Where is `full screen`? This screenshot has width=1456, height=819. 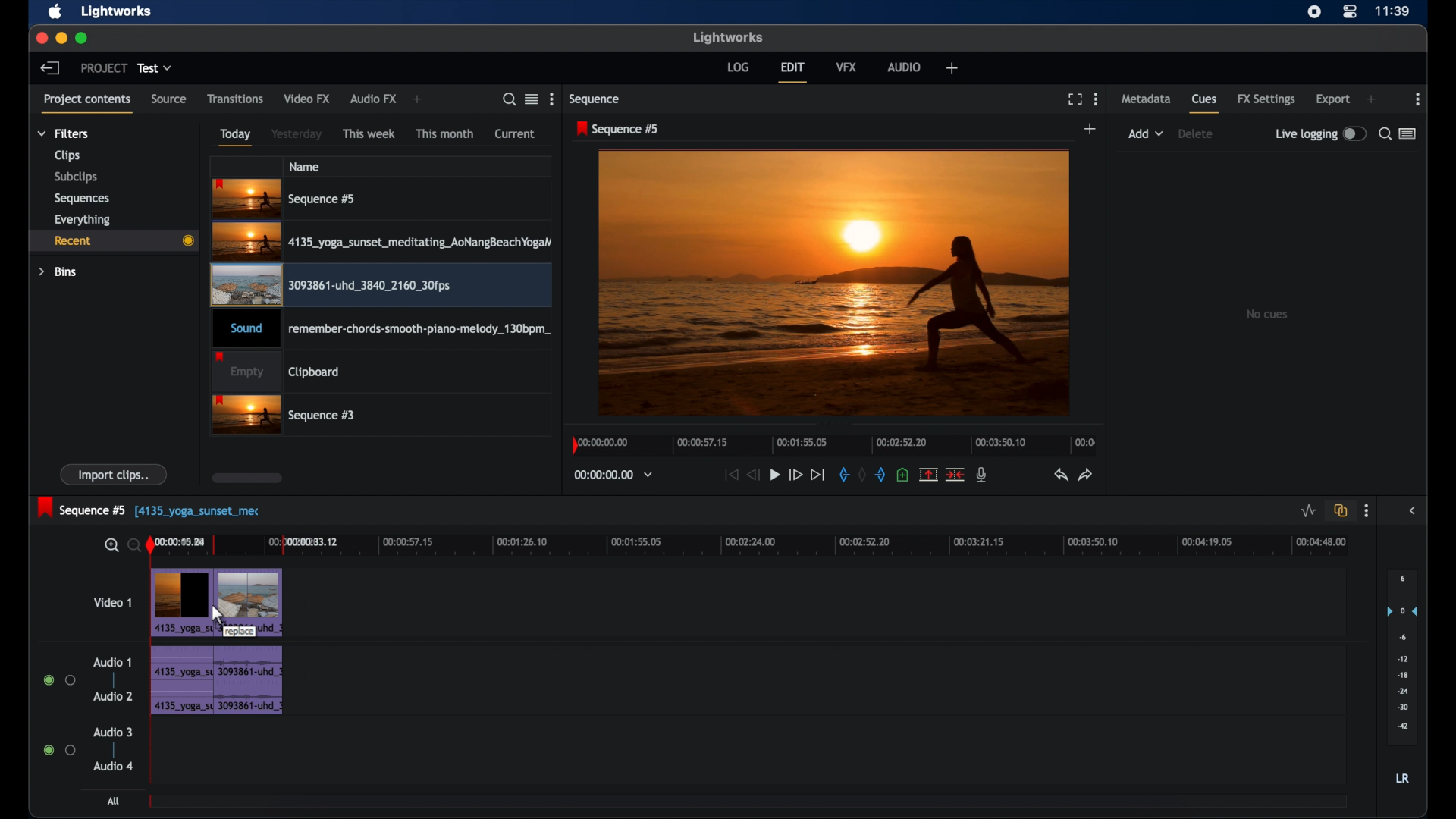 full screen is located at coordinates (1075, 99).